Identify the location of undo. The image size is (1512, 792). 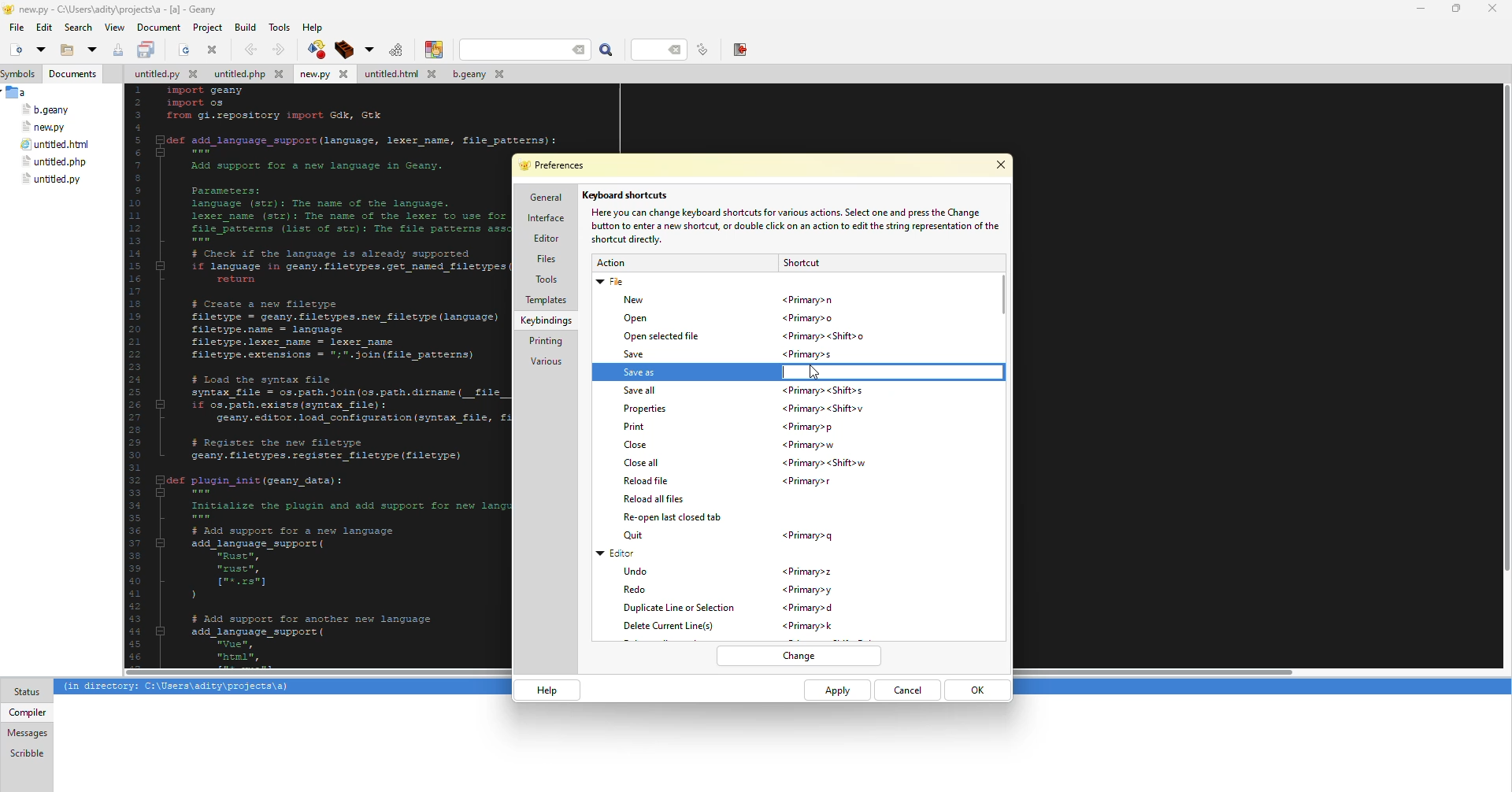
(636, 570).